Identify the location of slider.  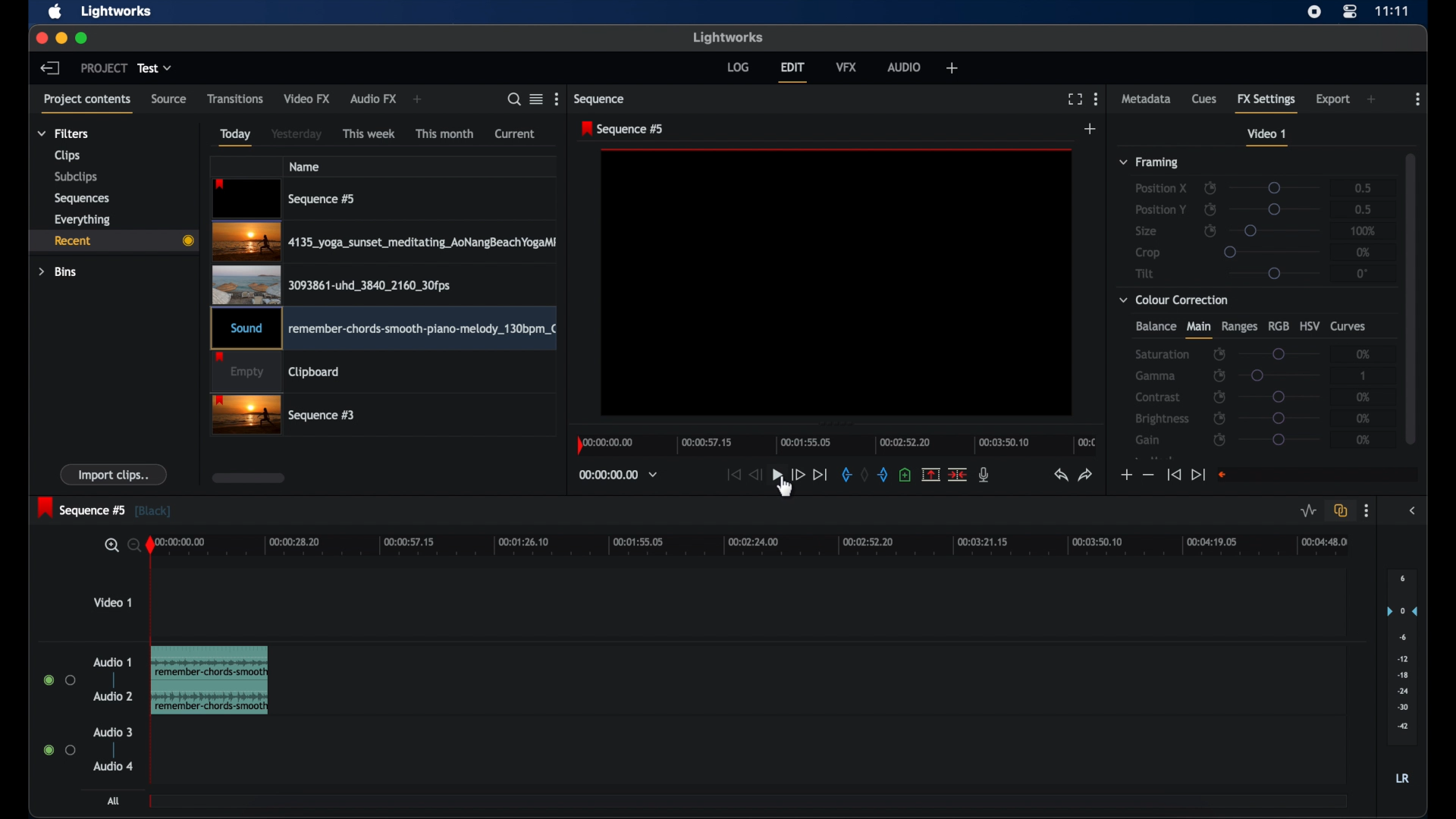
(1274, 274).